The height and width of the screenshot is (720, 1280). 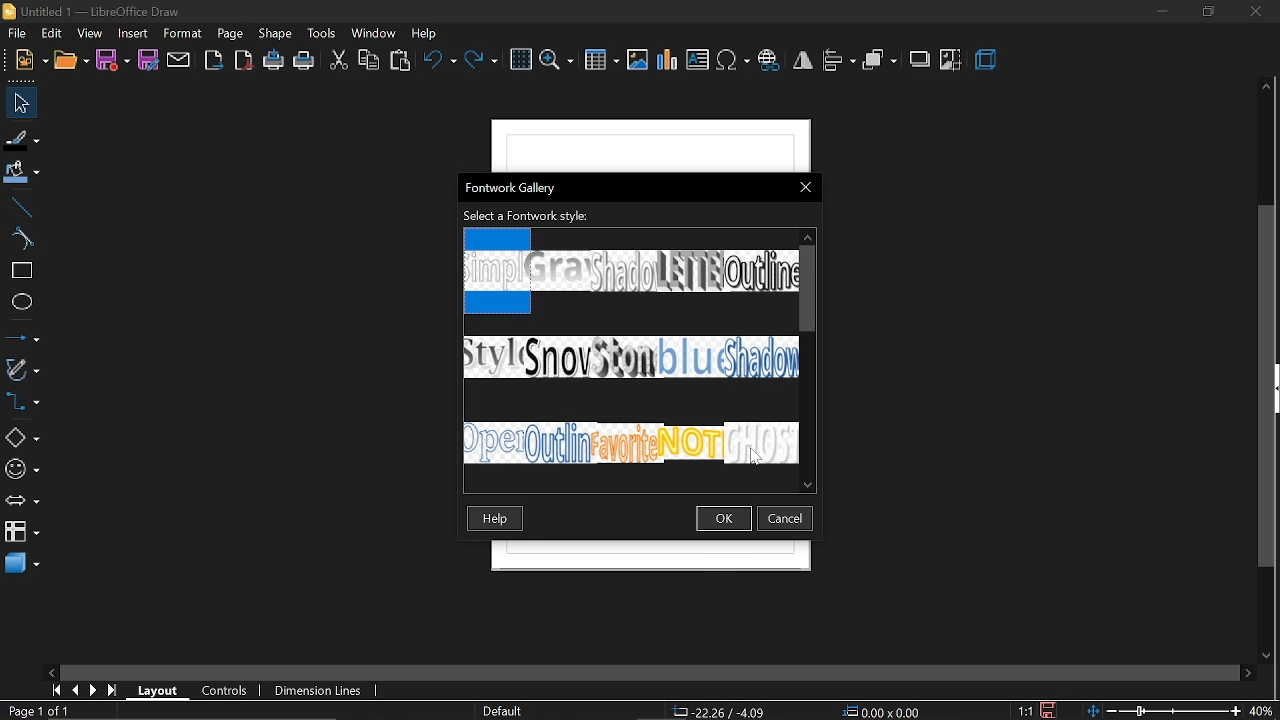 What do you see at coordinates (1248, 674) in the screenshot?
I see `move right` at bounding box center [1248, 674].